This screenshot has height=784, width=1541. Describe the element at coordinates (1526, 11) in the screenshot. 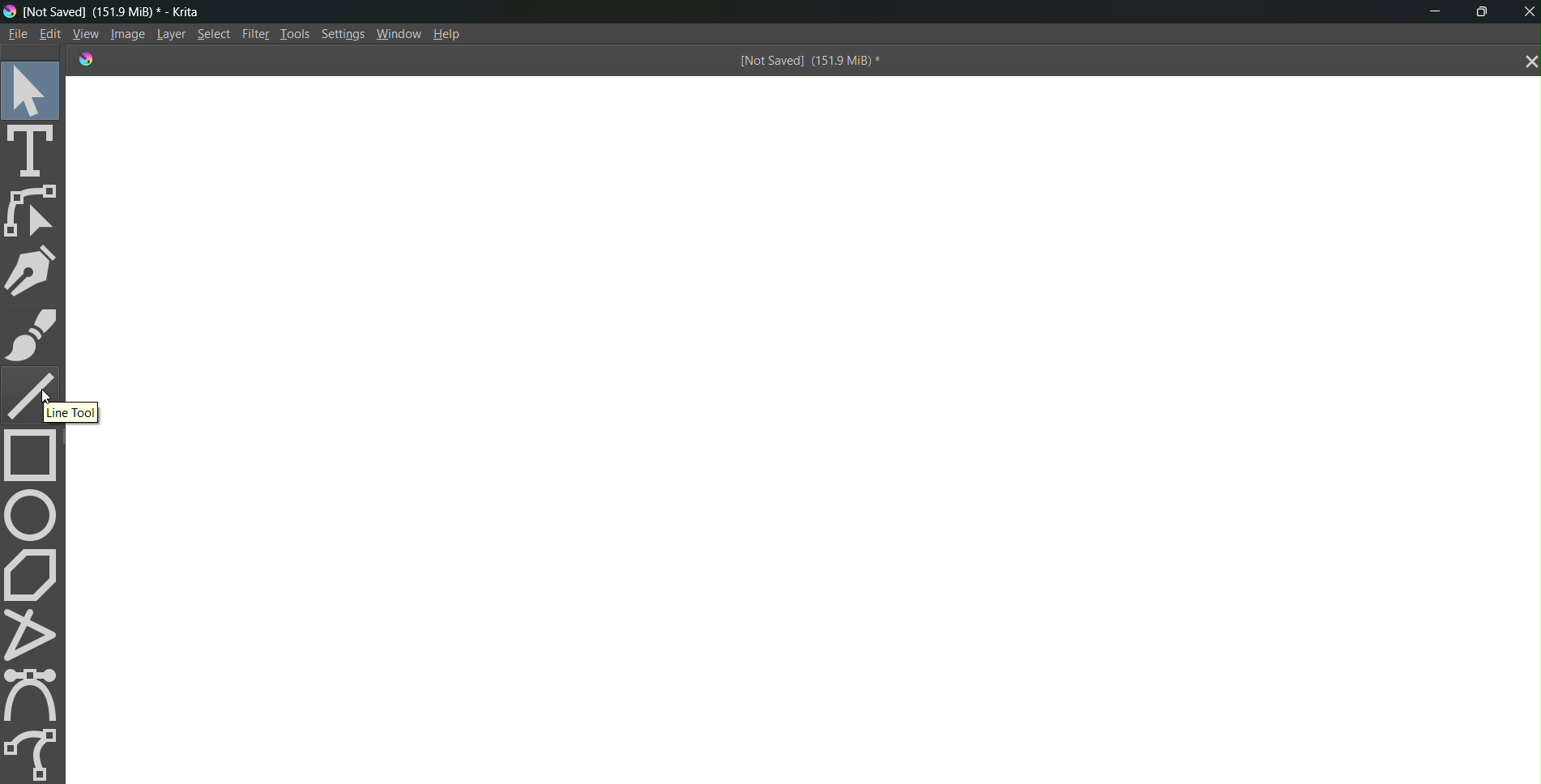

I see `Close` at that location.